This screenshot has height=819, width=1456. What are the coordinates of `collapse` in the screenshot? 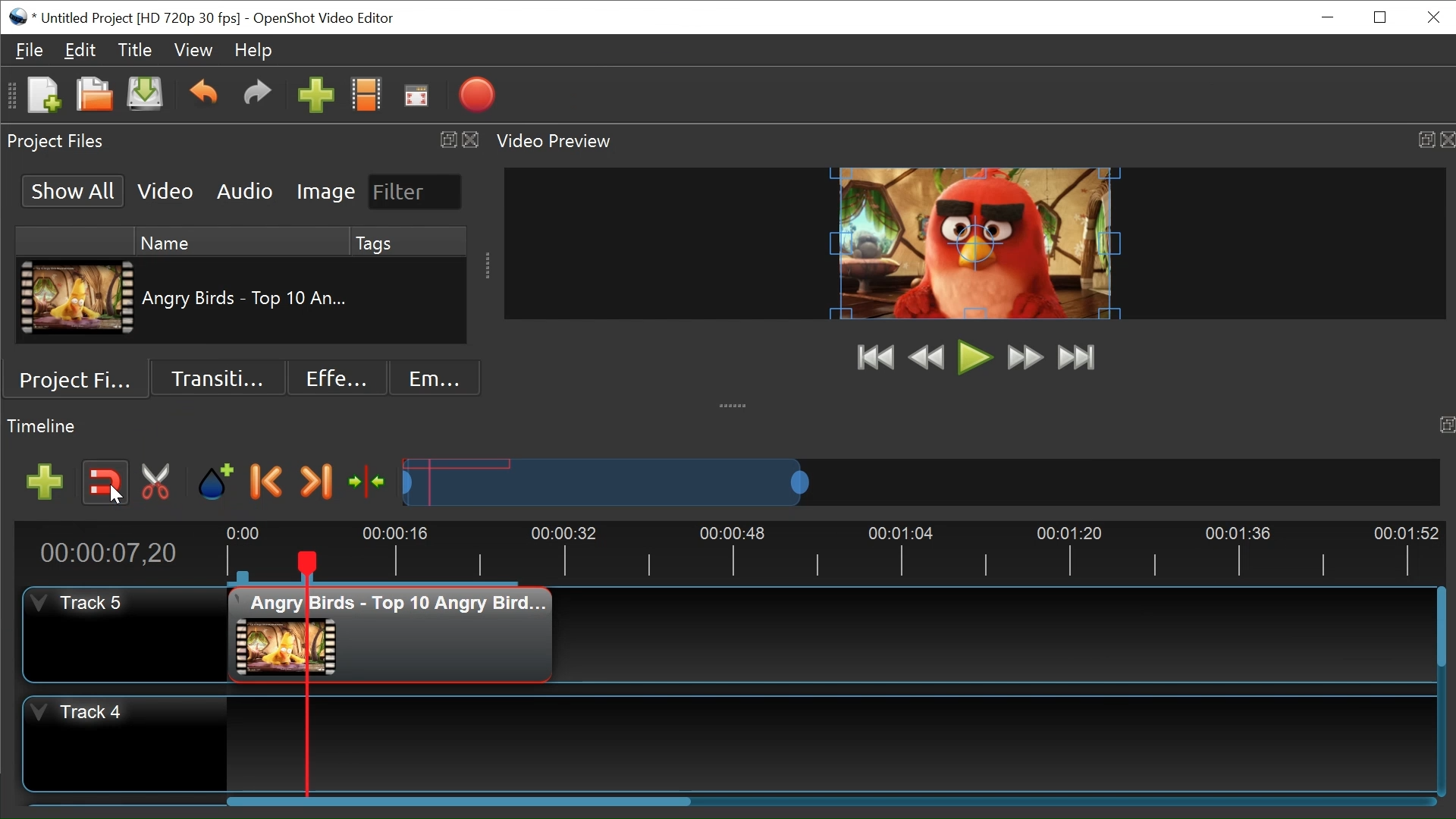 It's located at (736, 402).